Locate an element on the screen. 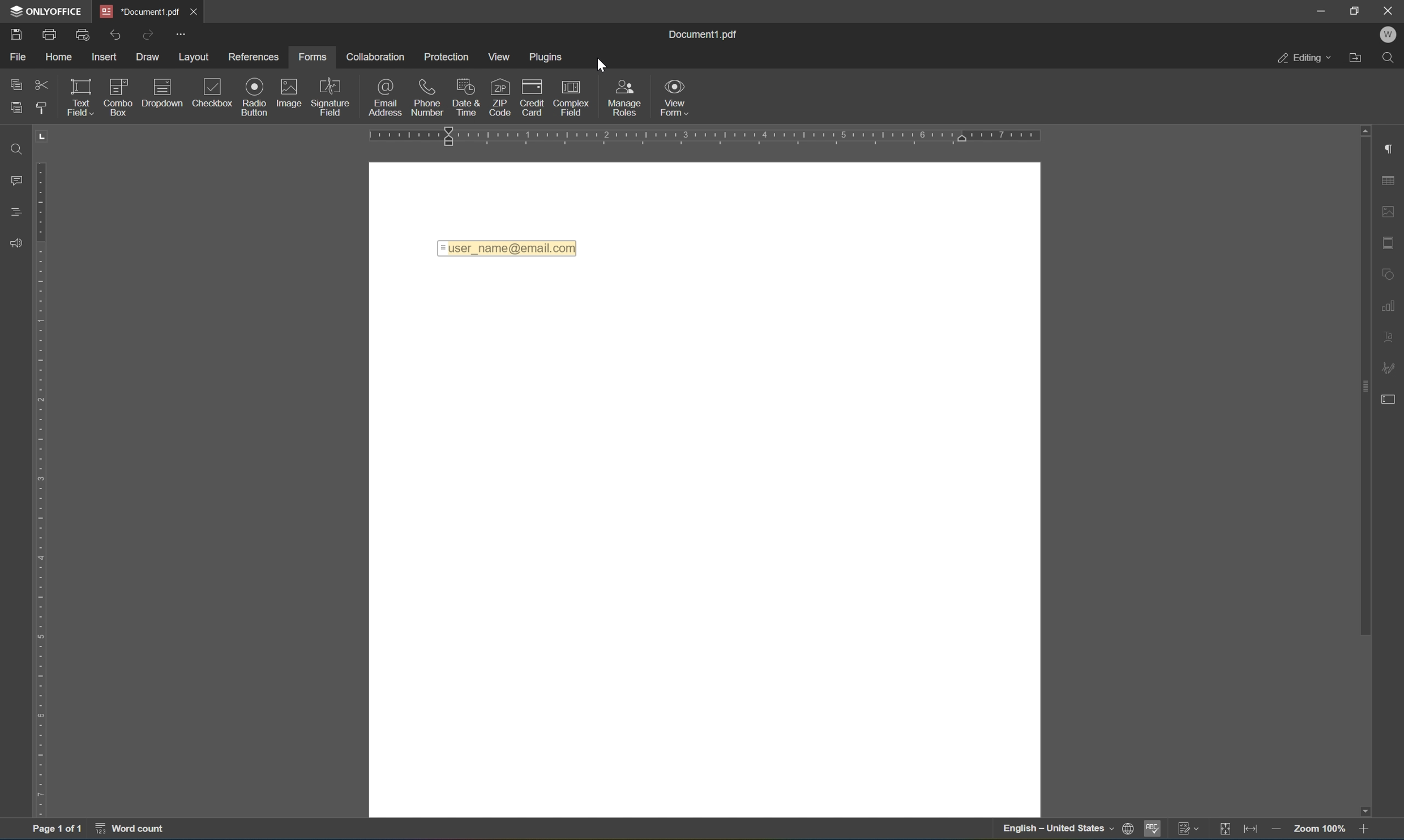 The width and height of the screenshot is (1404, 840). document1.pdf is located at coordinates (702, 35).